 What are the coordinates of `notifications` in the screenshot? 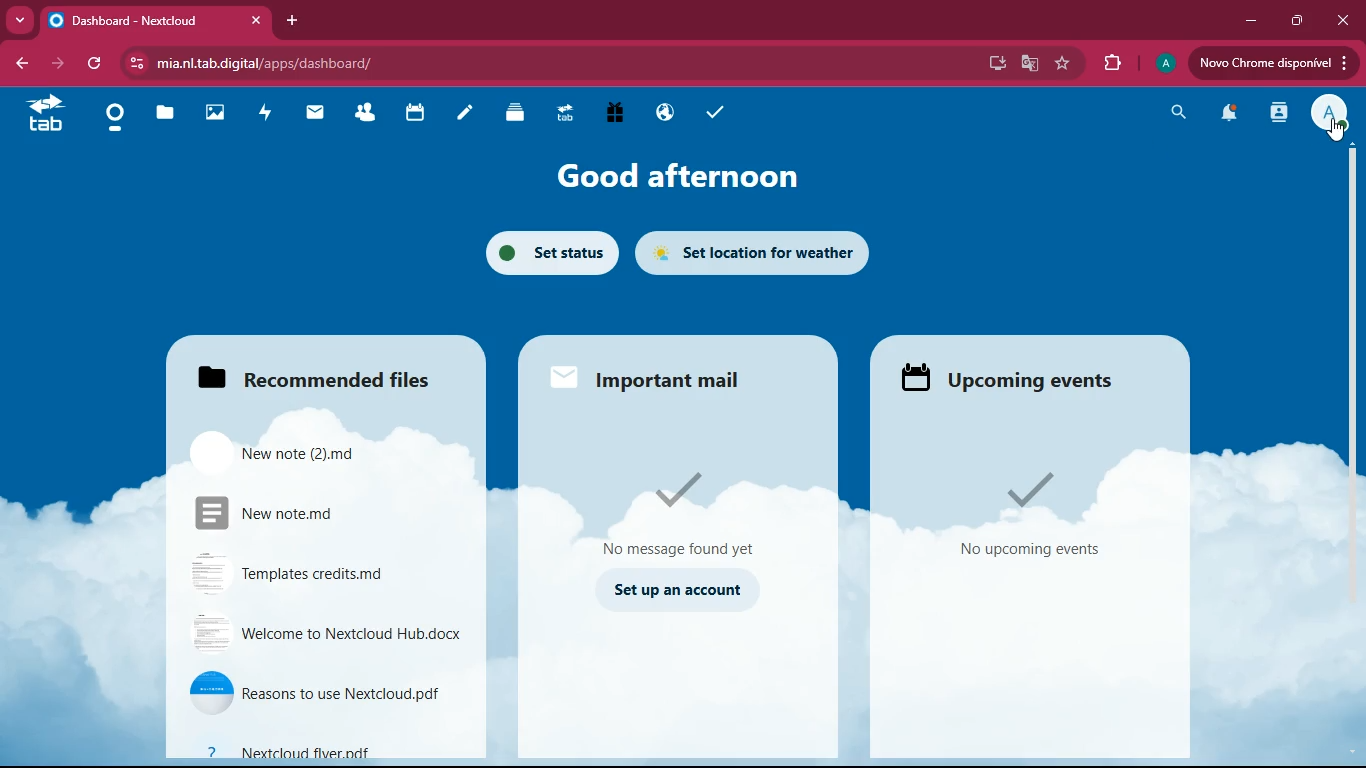 It's located at (1230, 115).